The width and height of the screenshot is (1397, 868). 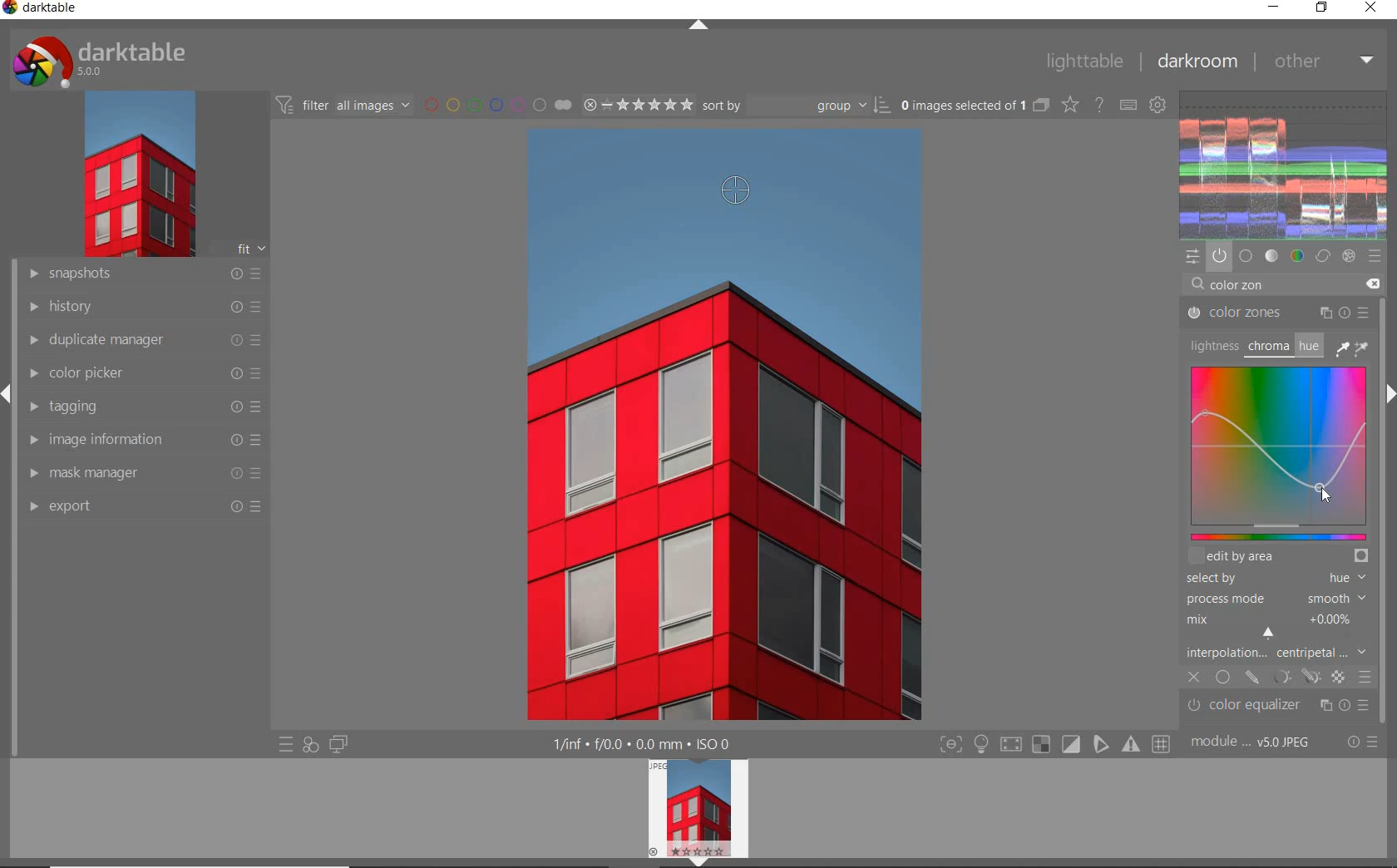 What do you see at coordinates (1072, 744) in the screenshot?
I see `soft proofing` at bounding box center [1072, 744].